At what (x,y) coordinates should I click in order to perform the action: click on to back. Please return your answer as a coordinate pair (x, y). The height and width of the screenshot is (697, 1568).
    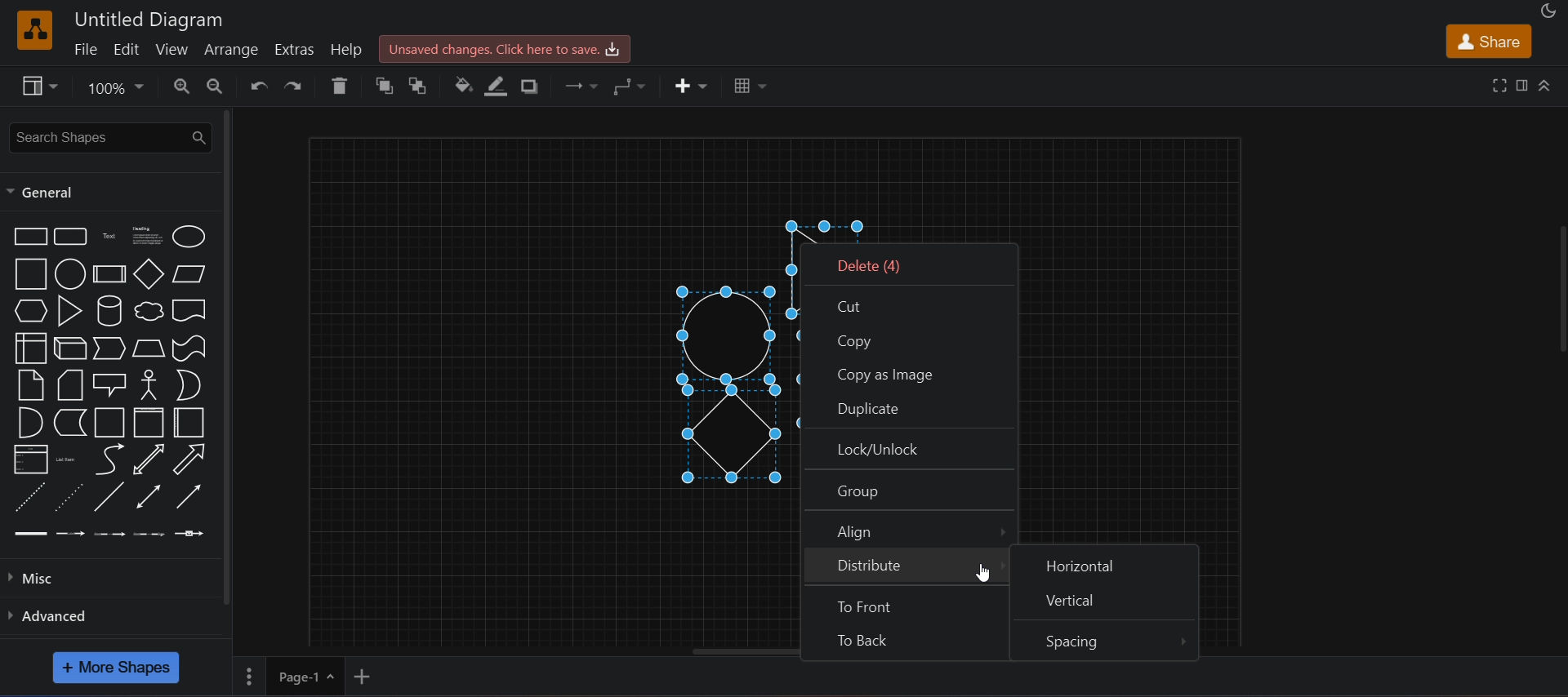
    Looking at the image, I should click on (424, 86).